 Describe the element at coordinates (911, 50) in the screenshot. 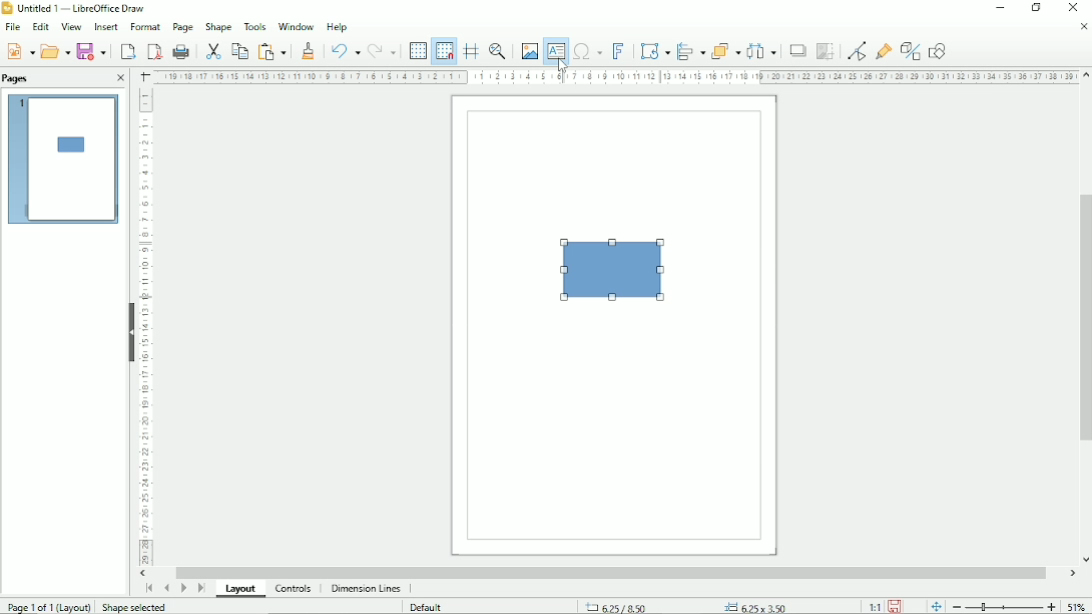

I see `Toggle extrusion` at that location.